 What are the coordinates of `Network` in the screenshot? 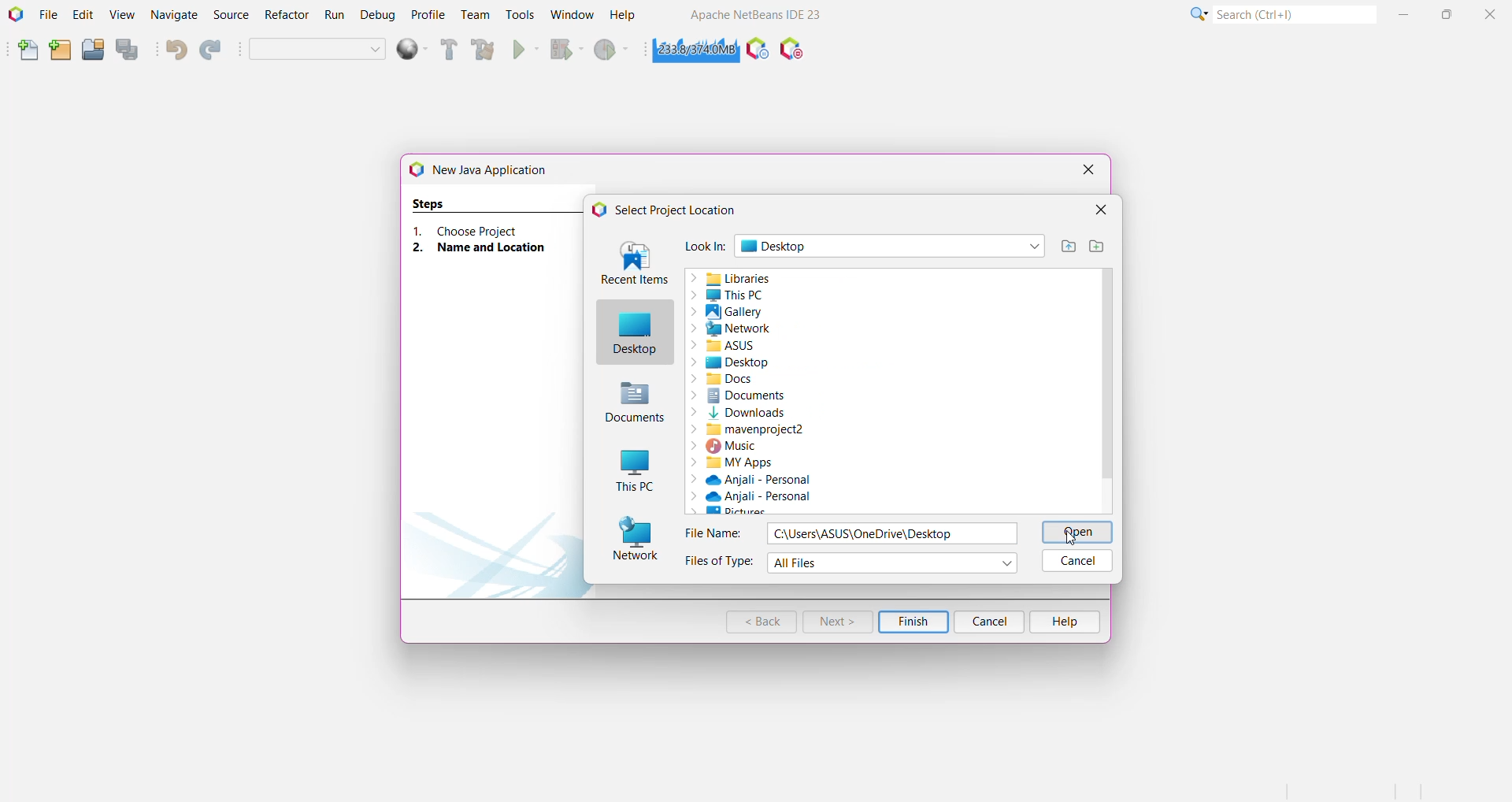 It's located at (768, 329).